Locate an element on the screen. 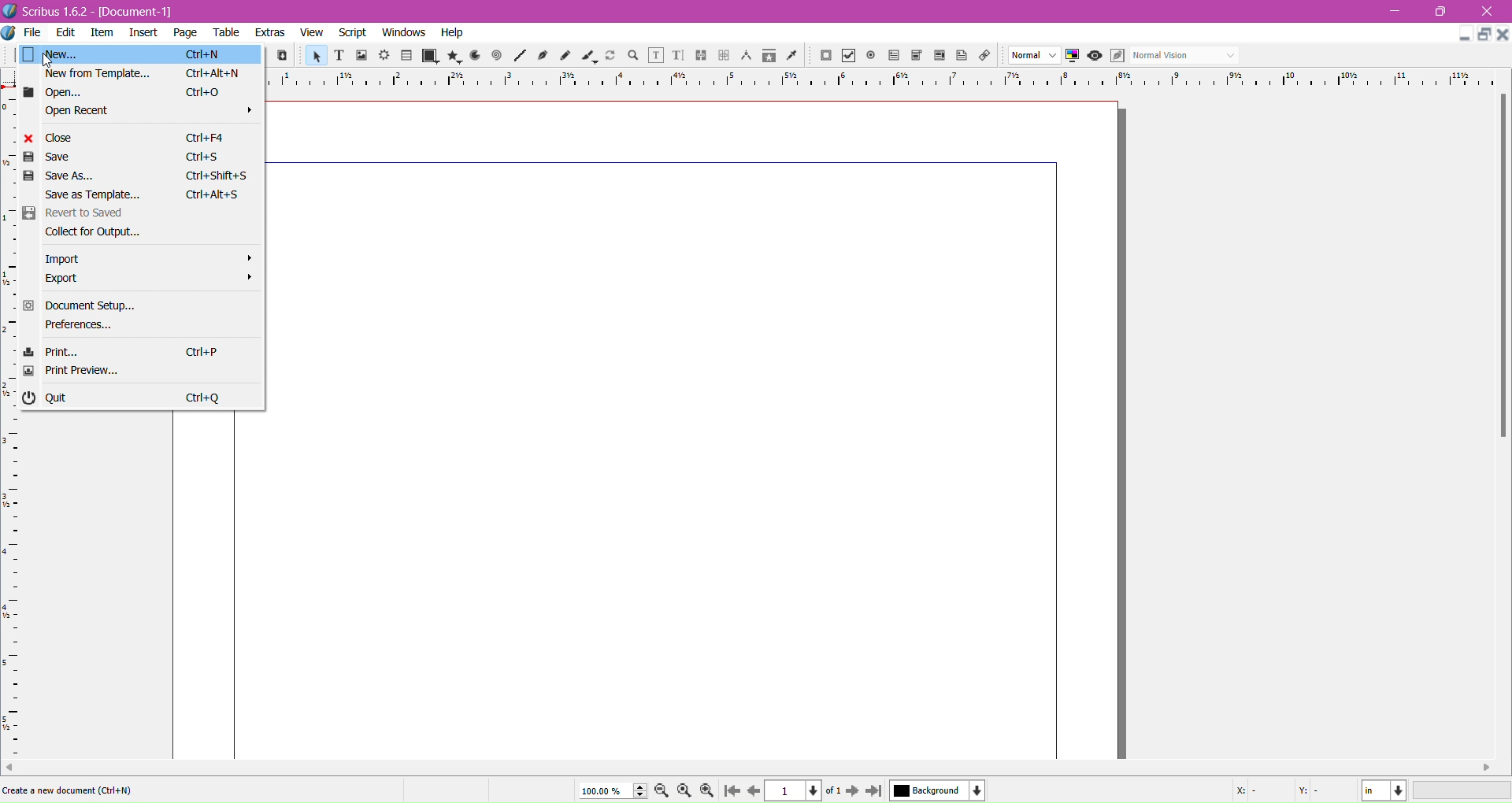 The width and height of the screenshot is (1512, 803). drop down is located at coordinates (1027, 54).